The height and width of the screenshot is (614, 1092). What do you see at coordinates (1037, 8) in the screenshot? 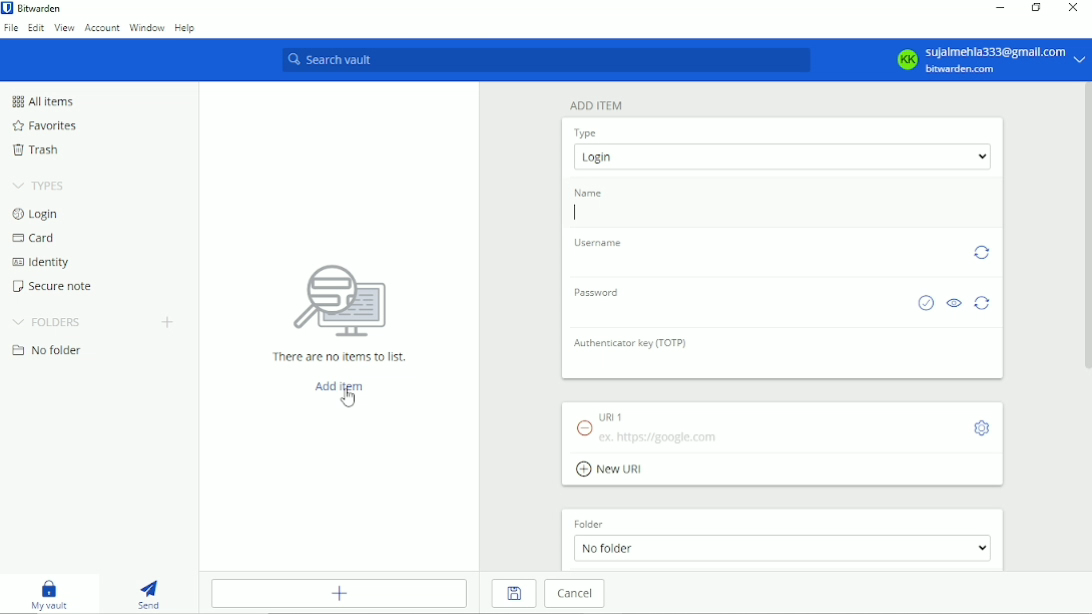
I see `Restore down` at bounding box center [1037, 8].